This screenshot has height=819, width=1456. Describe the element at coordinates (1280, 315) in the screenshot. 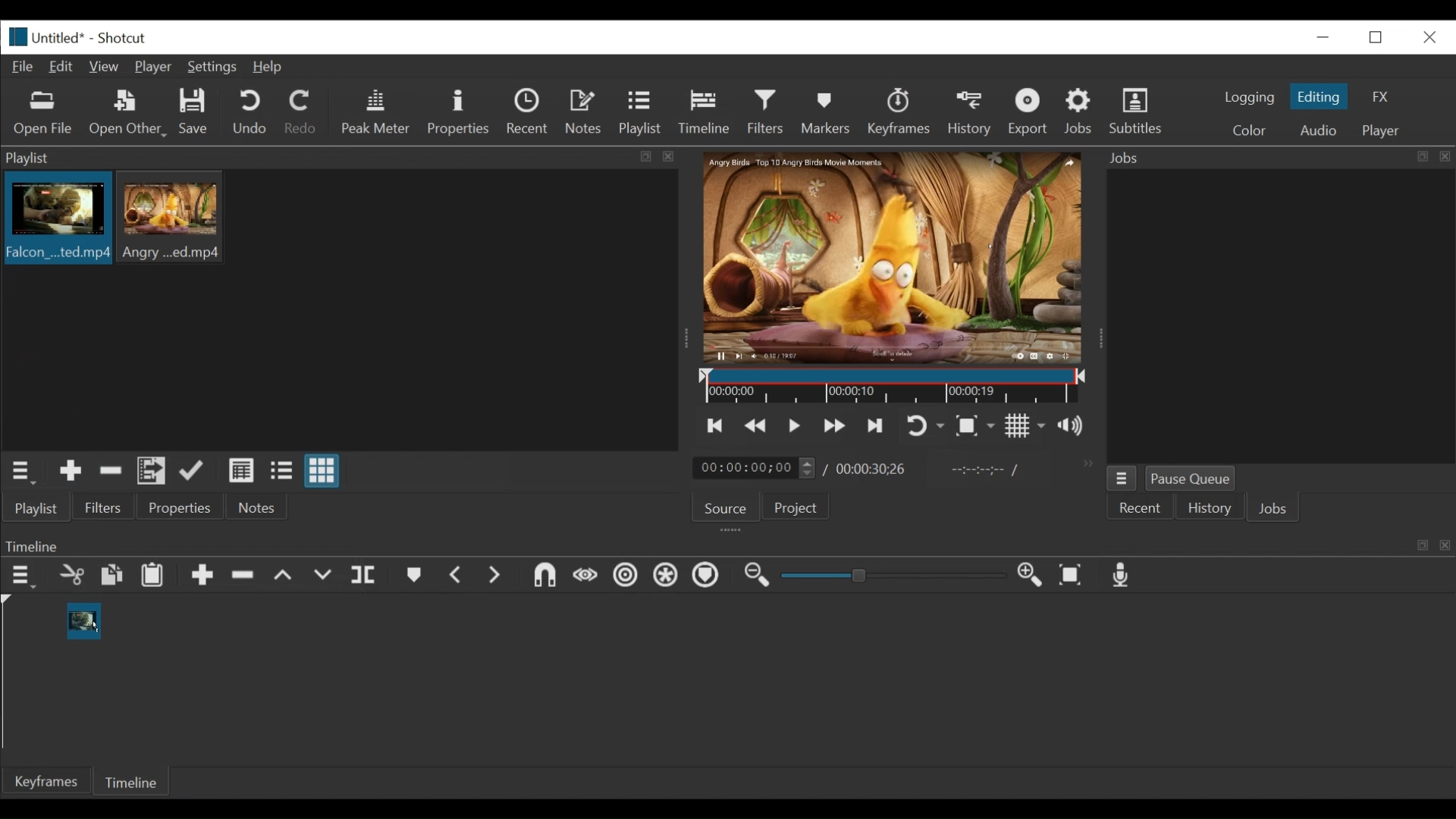

I see `jobs panel` at that location.